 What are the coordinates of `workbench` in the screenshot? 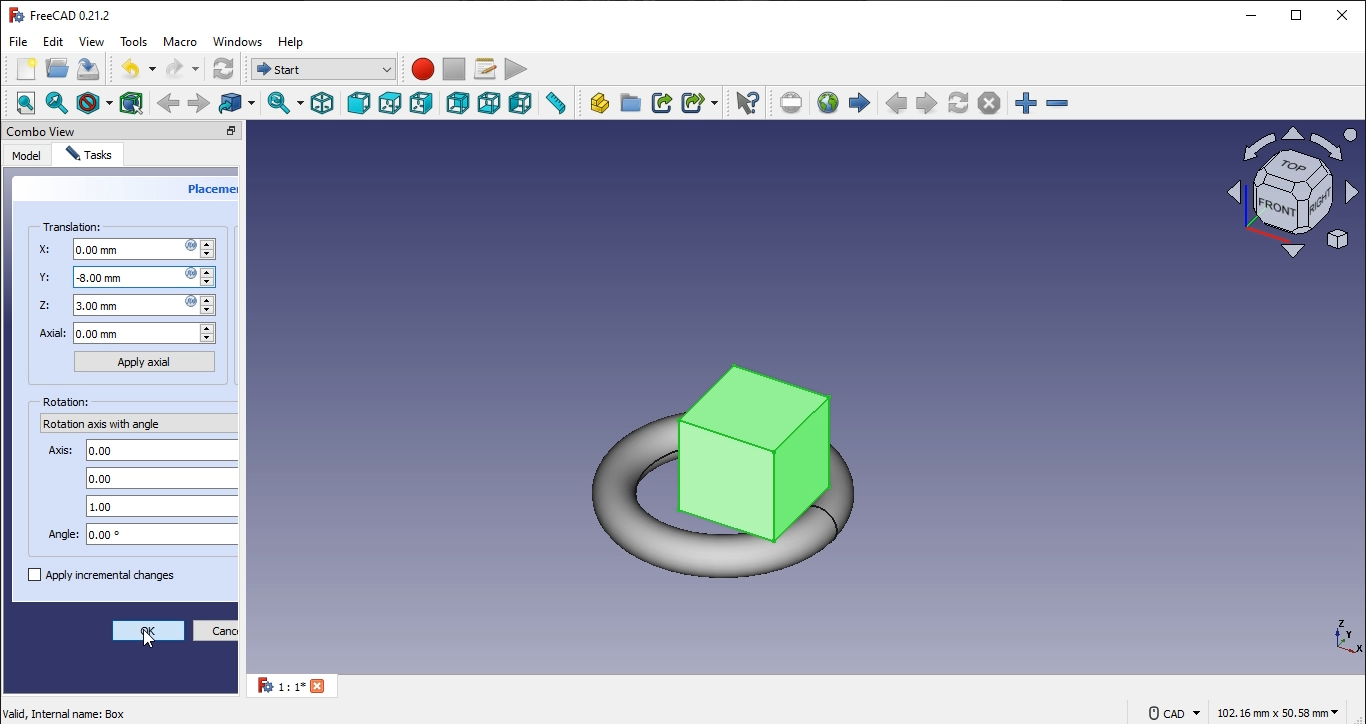 It's located at (223, 68).